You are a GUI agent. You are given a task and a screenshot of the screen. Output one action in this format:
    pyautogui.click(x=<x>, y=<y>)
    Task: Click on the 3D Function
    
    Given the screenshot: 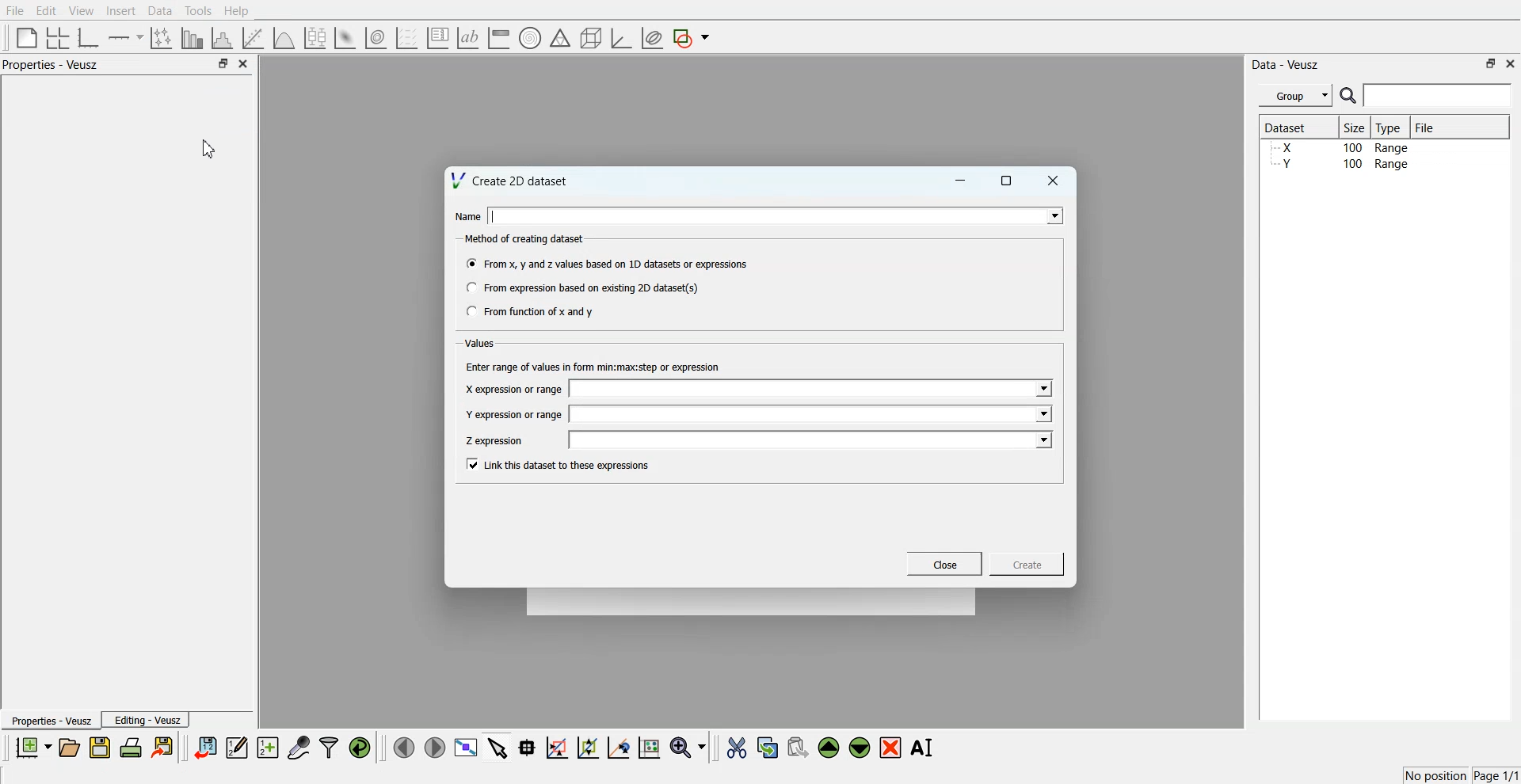 What is the action you would take?
    pyautogui.click(x=284, y=38)
    